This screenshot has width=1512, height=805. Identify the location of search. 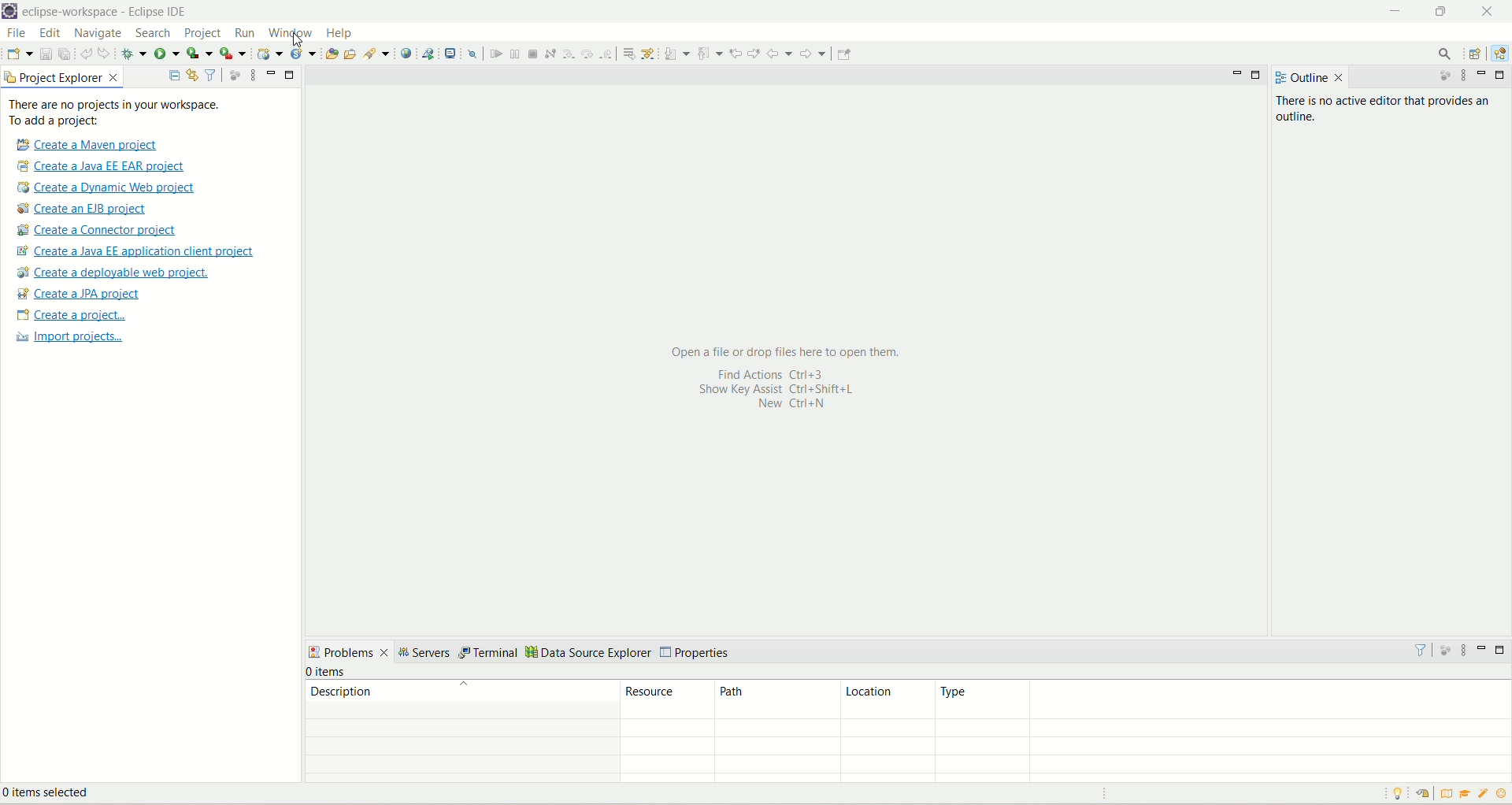
(155, 34).